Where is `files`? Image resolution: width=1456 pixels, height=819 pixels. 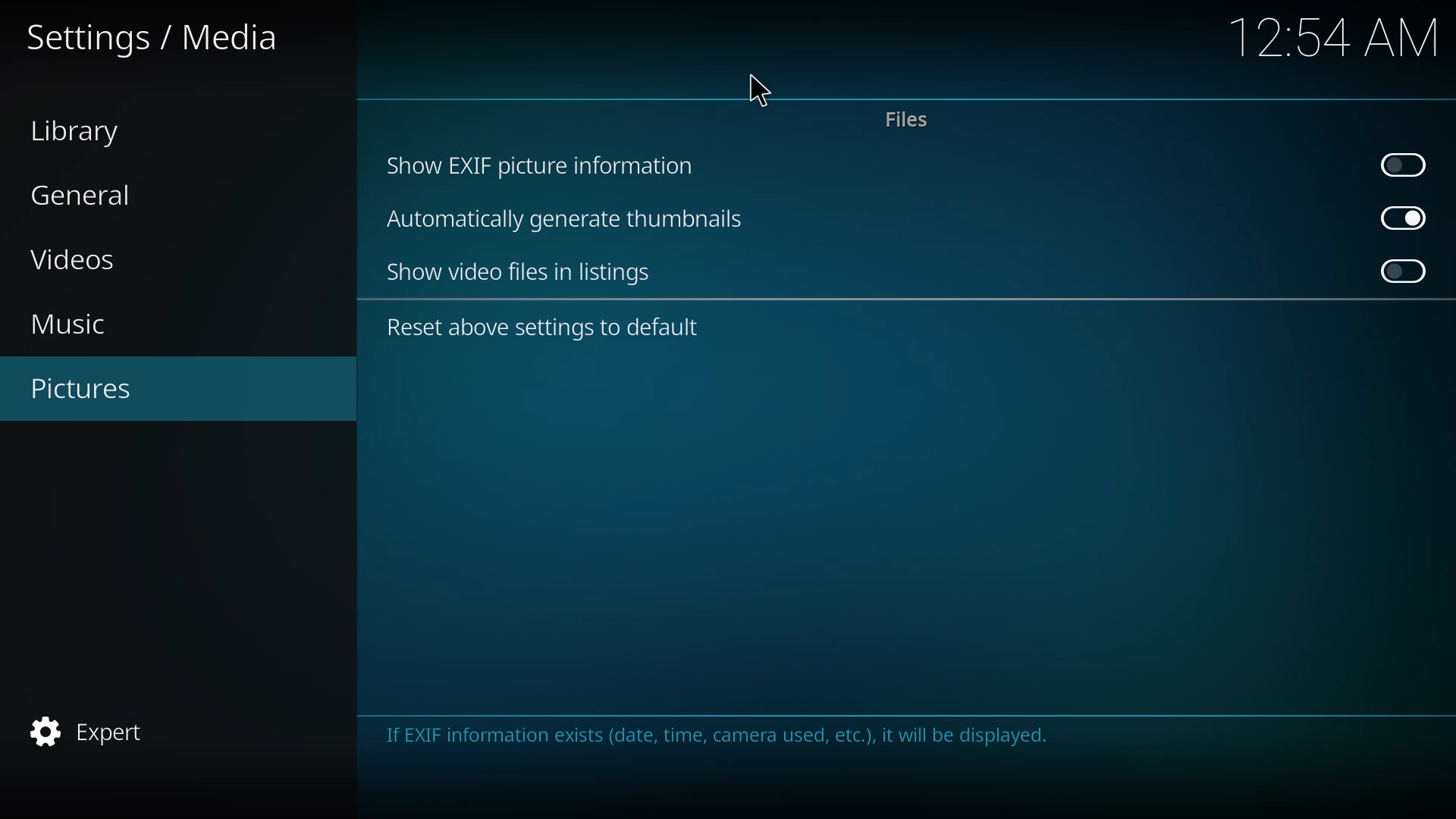 files is located at coordinates (905, 120).